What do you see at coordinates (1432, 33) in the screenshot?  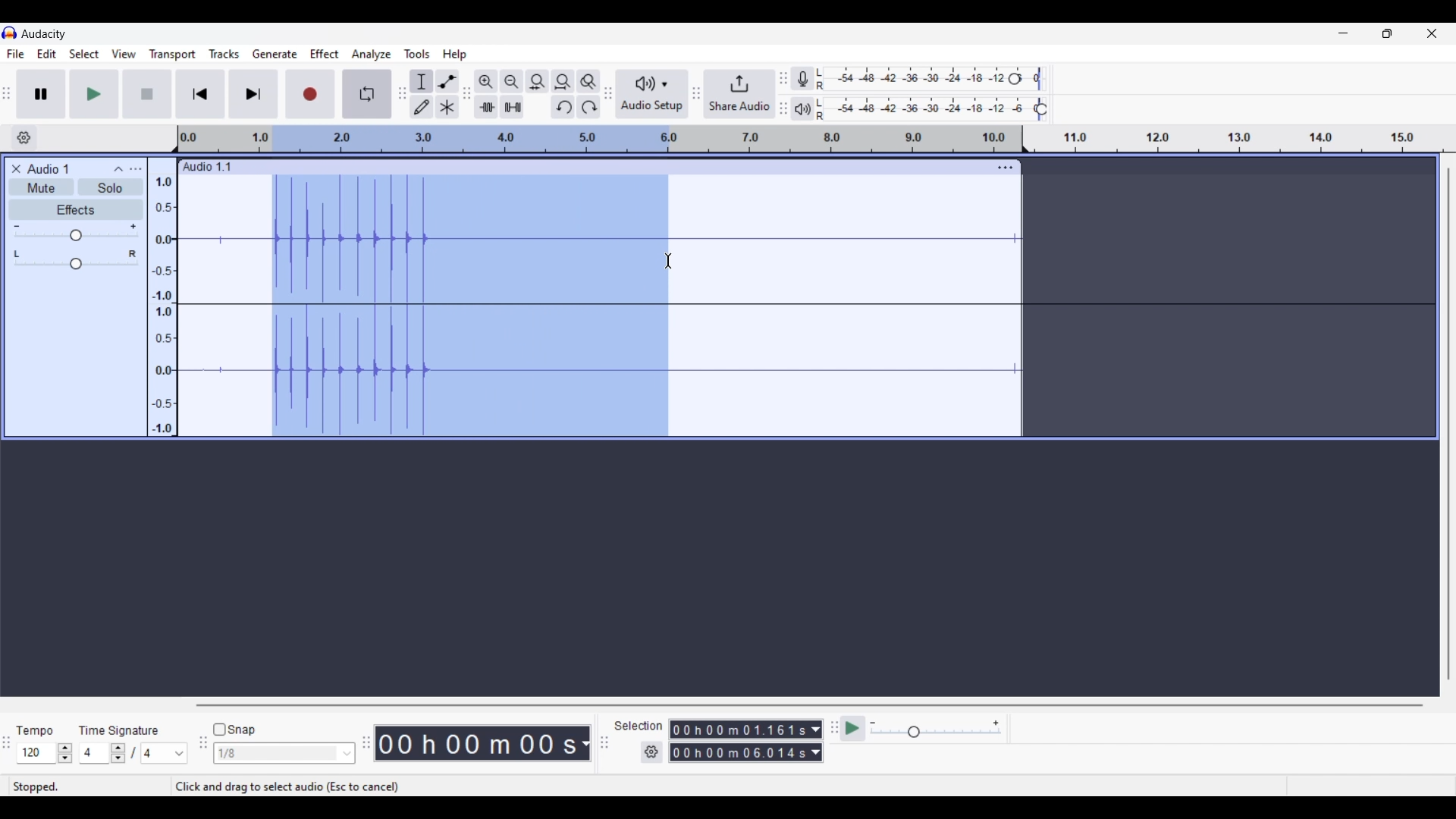 I see `Close interface` at bounding box center [1432, 33].